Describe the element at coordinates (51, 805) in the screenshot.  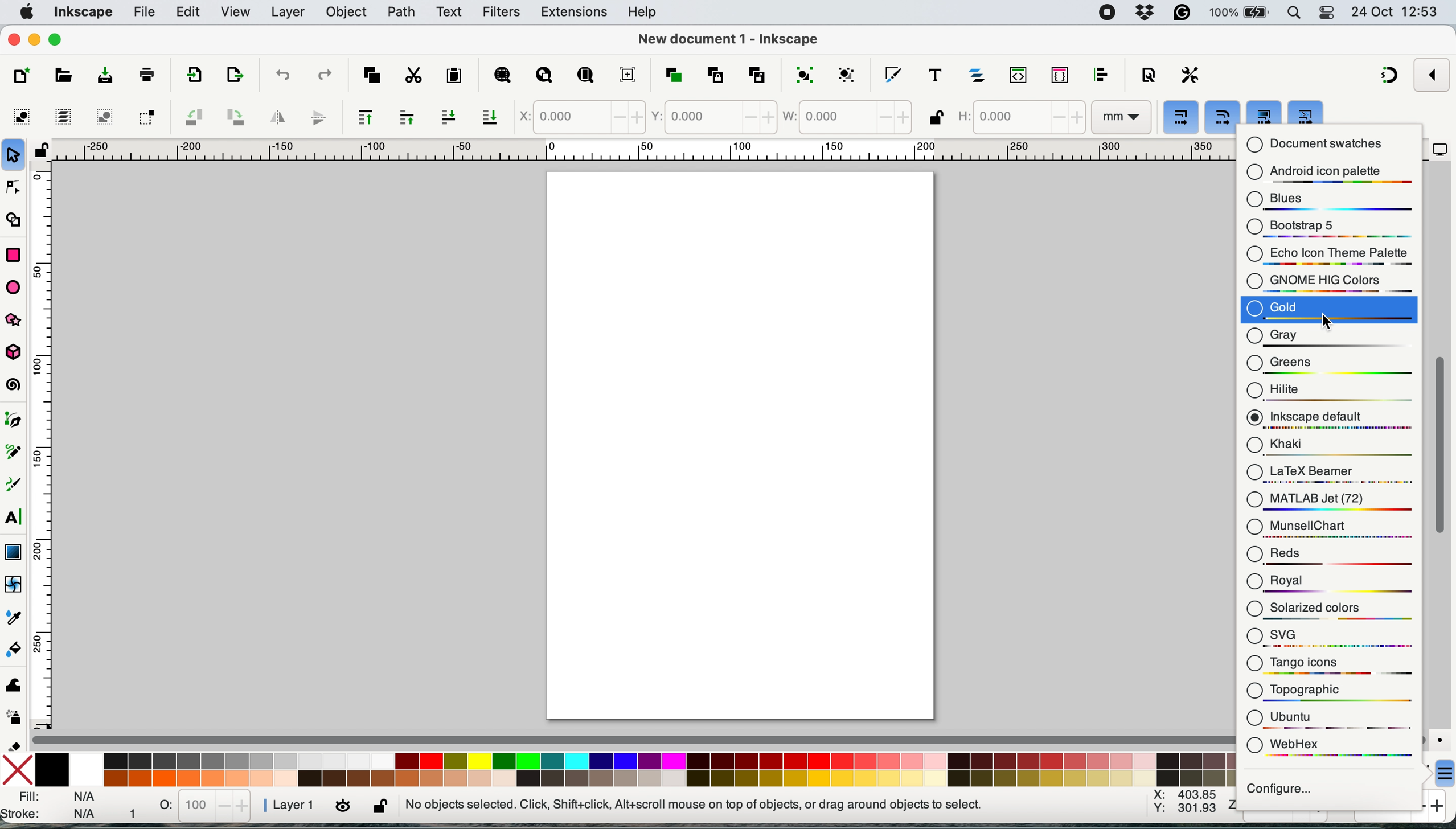
I see `fill and stroke` at that location.